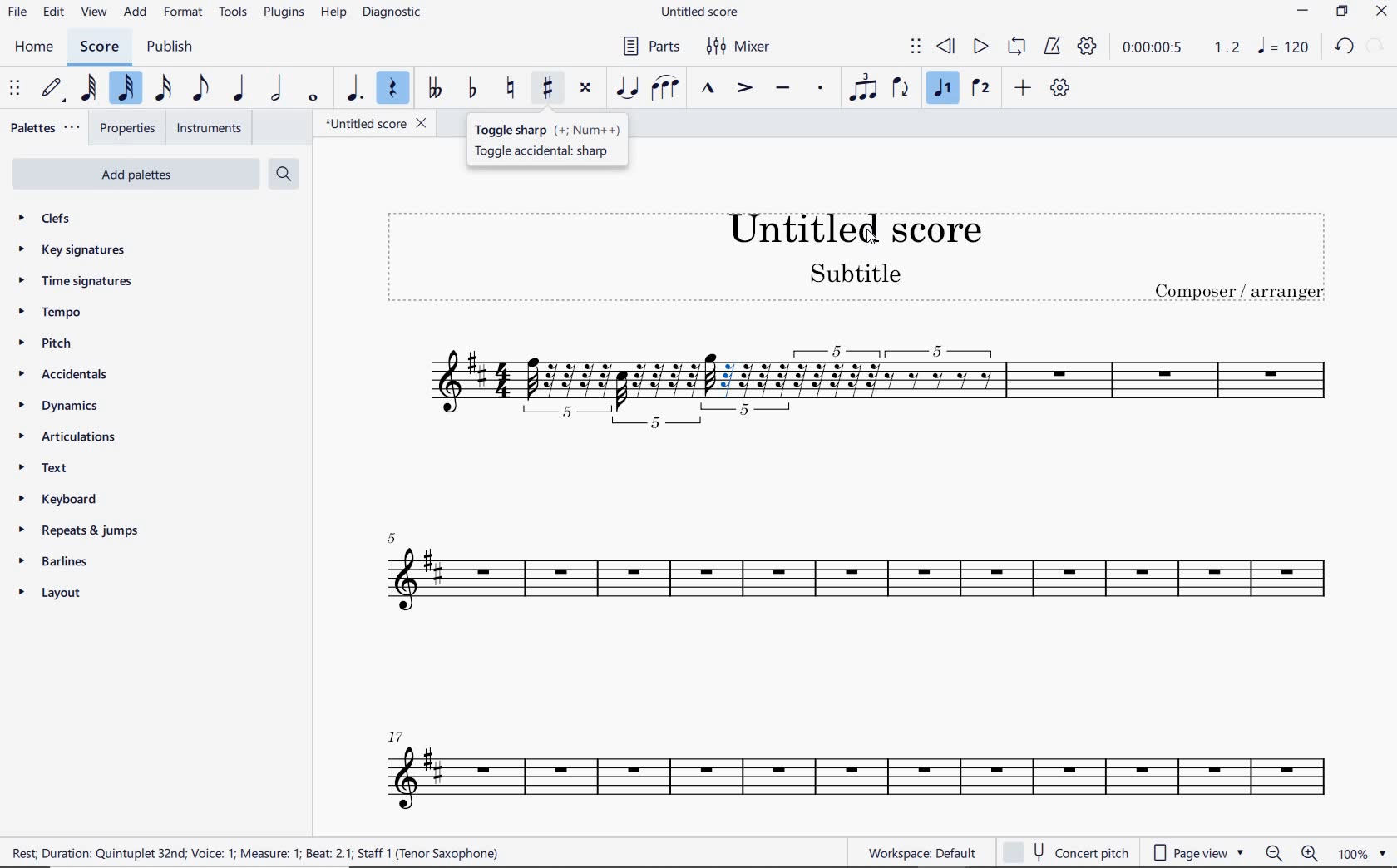 This screenshot has height=868, width=1397. Describe the element at coordinates (1306, 12) in the screenshot. I see `MINIMIZE` at that location.